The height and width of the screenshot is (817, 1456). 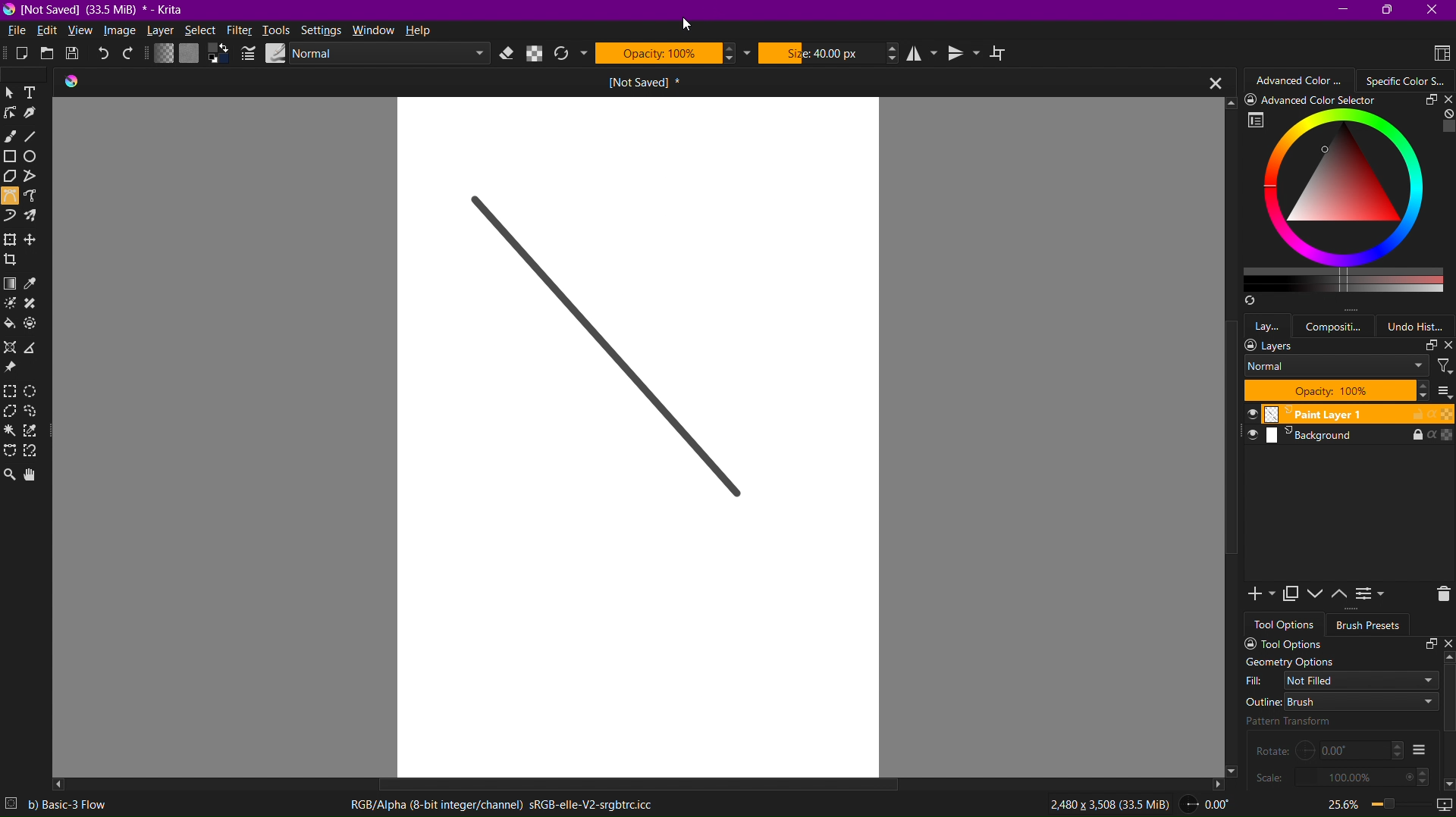 What do you see at coordinates (1346, 202) in the screenshot?
I see `Specific Color Selector` at bounding box center [1346, 202].